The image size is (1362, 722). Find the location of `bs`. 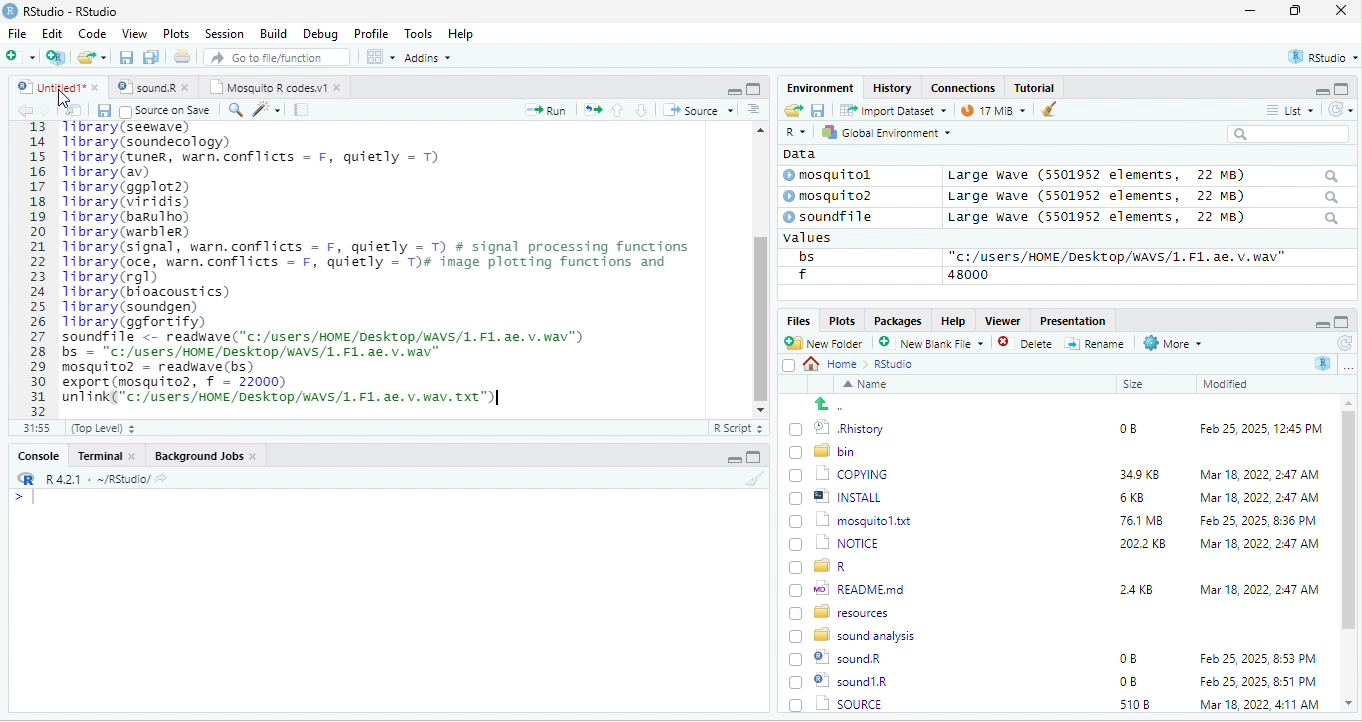

bs is located at coordinates (803, 256).